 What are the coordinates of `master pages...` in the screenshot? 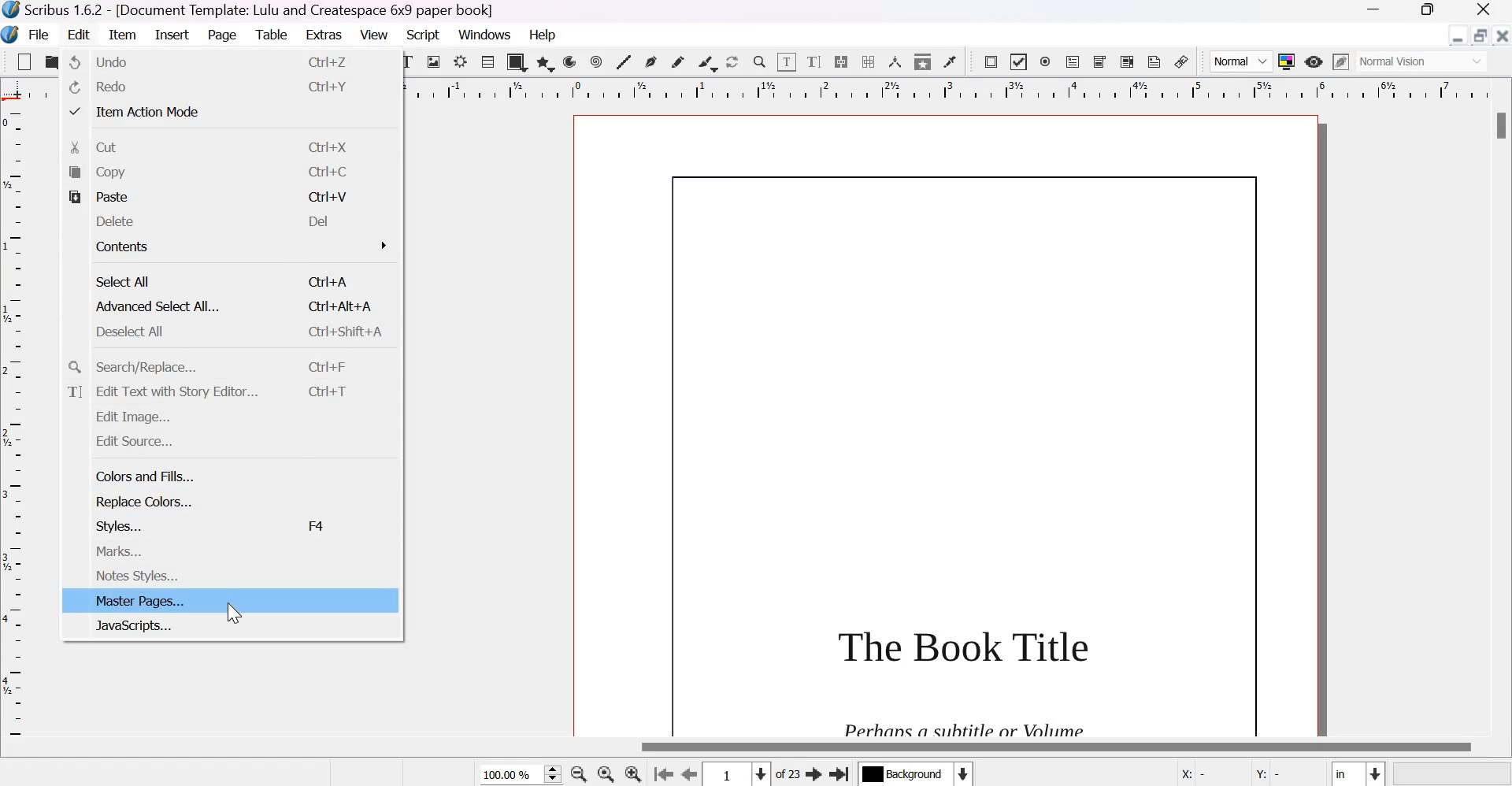 It's located at (143, 602).